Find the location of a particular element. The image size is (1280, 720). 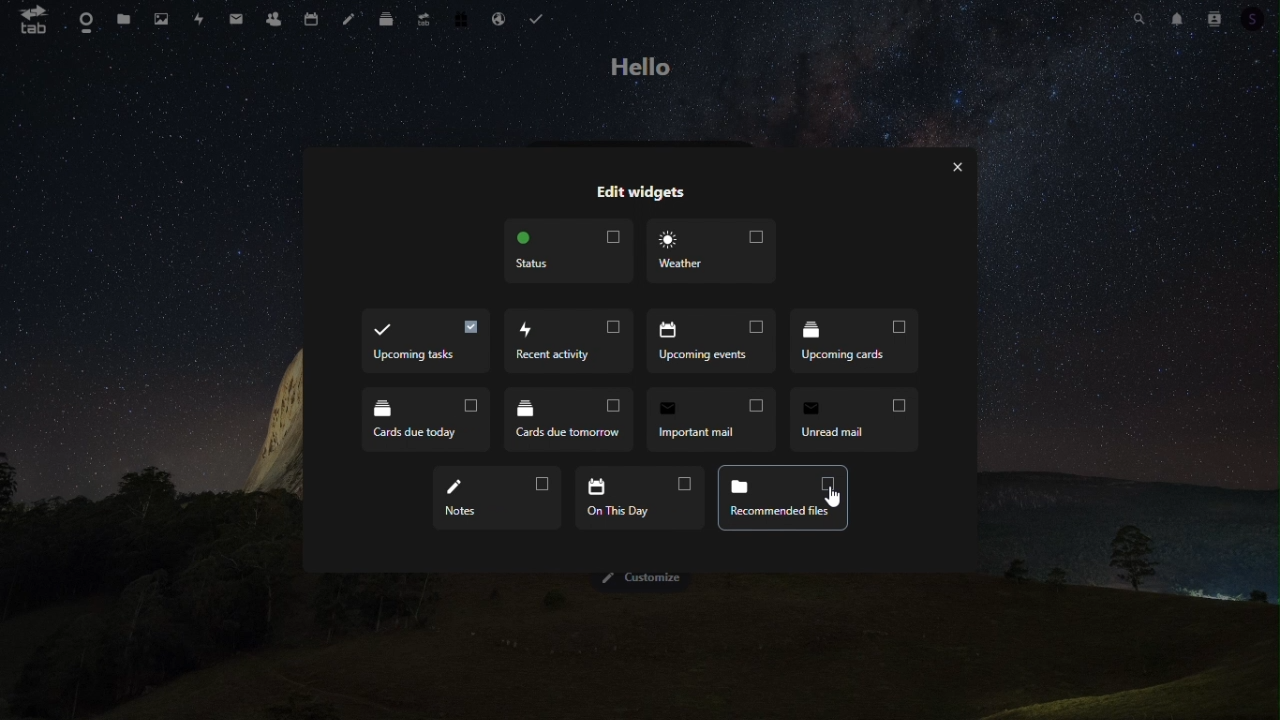

close is located at coordinates (956, 164).